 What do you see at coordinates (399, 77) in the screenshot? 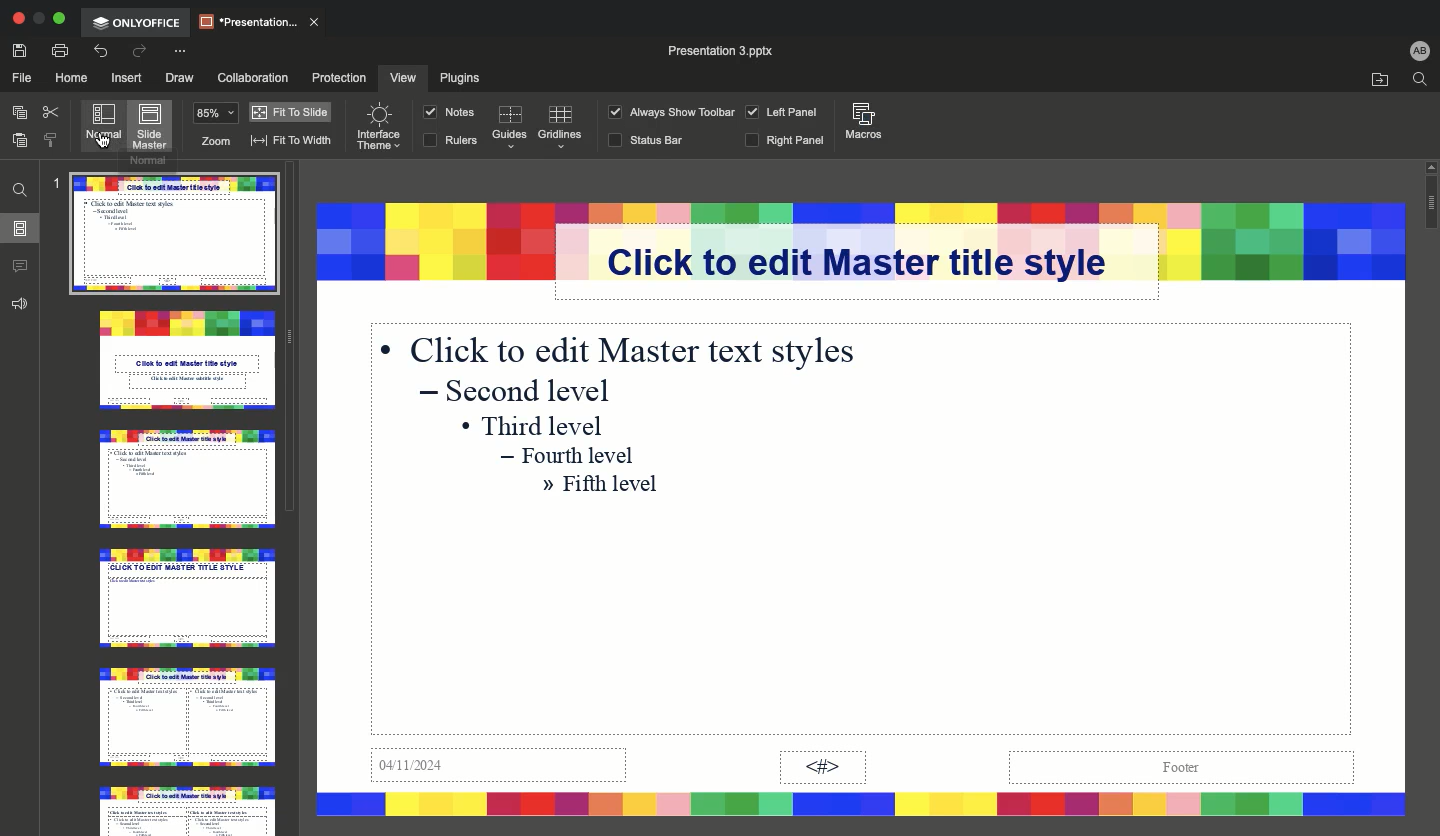
I see `View` at bounding box center [399, 77].